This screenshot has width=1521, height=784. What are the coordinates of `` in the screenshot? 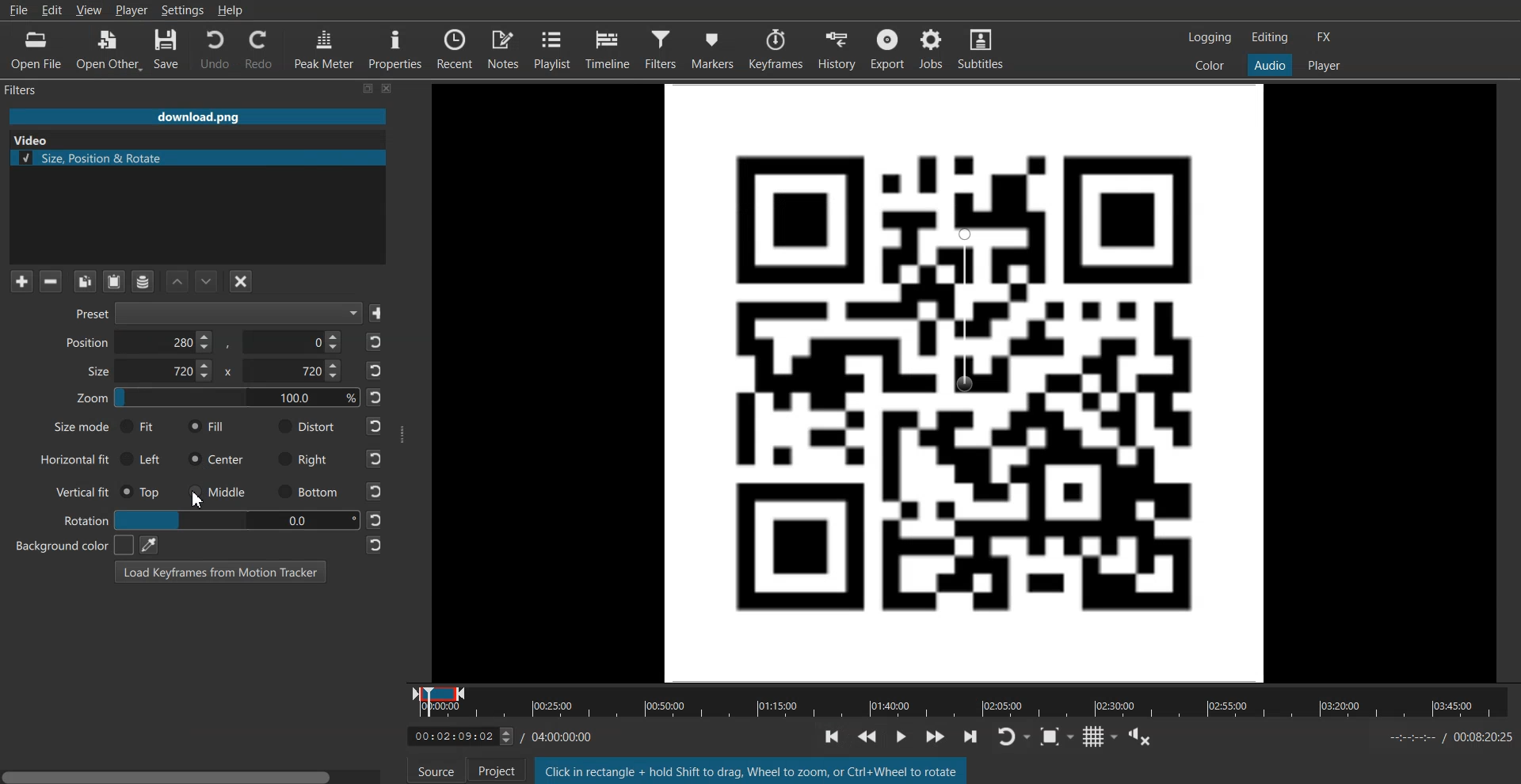 It's located at (932, 48).